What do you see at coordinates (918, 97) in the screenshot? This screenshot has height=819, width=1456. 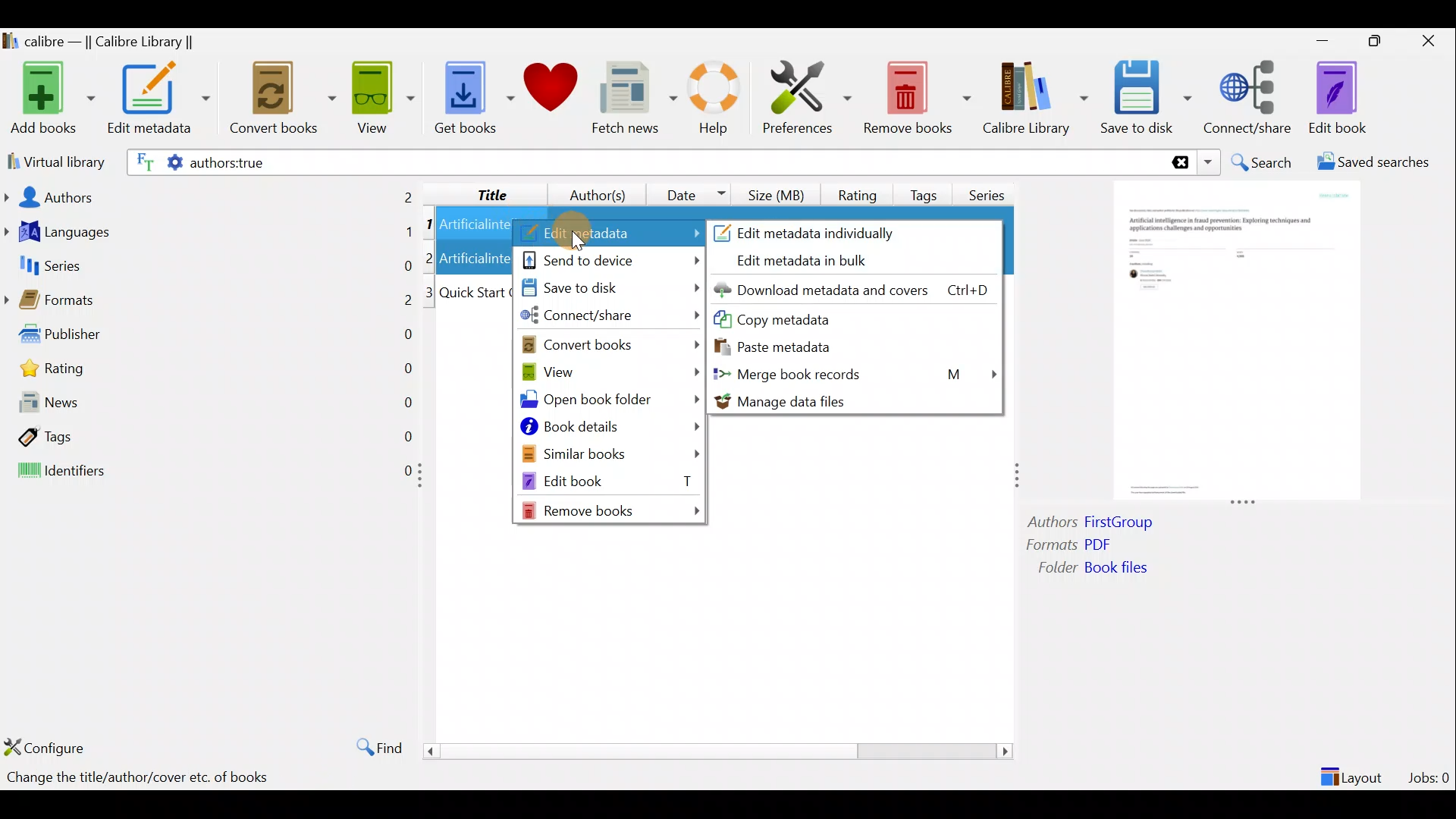 I see `Remove books` at bounding box center [918, 97].